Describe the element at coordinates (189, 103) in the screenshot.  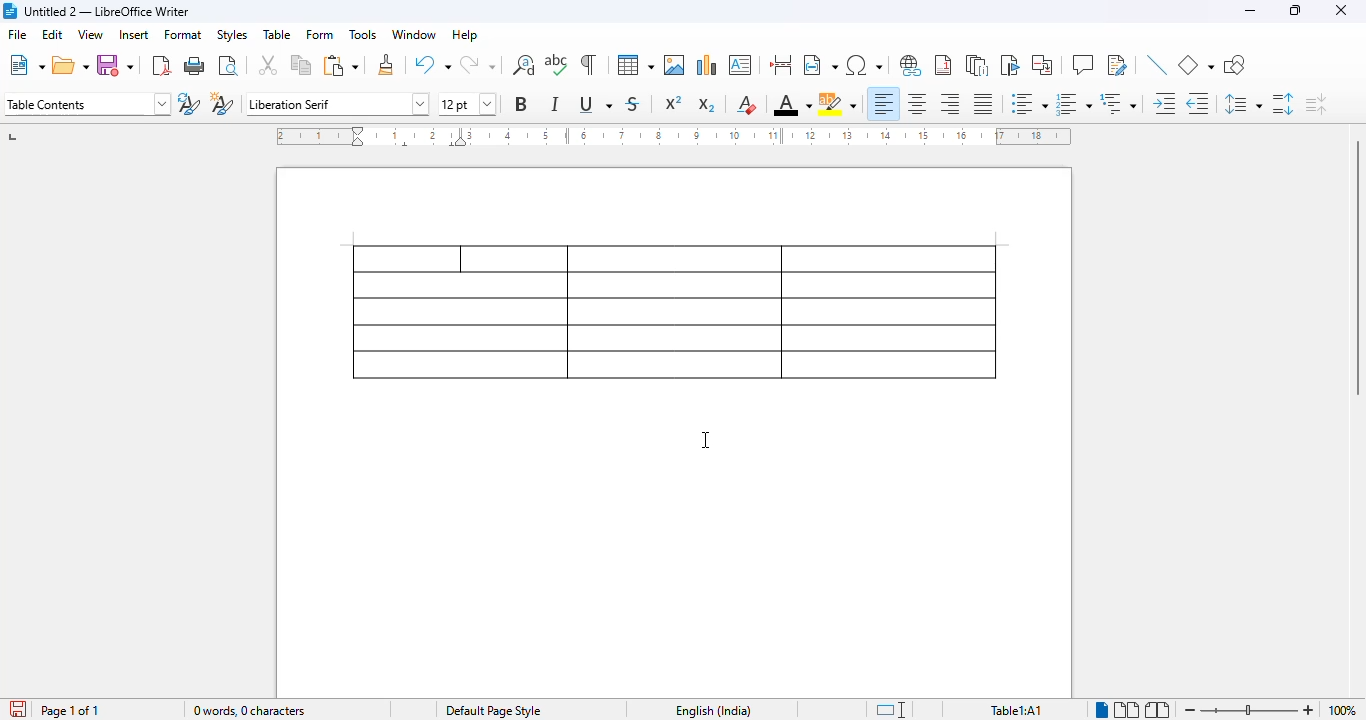
I see `update selected style` at that location.